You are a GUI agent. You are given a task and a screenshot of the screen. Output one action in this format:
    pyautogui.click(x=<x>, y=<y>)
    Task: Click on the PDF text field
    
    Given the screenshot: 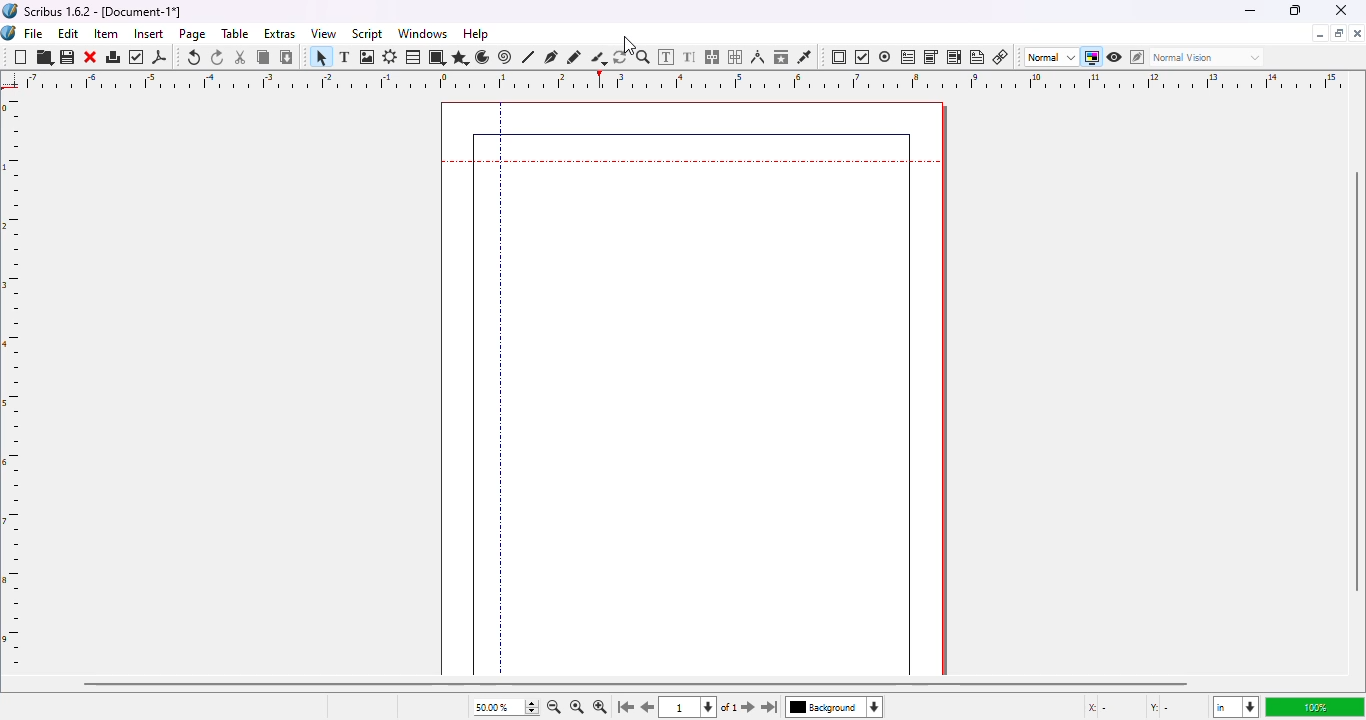 What is the action you would take?
    pyautogui.click(x=908, y=56)
    